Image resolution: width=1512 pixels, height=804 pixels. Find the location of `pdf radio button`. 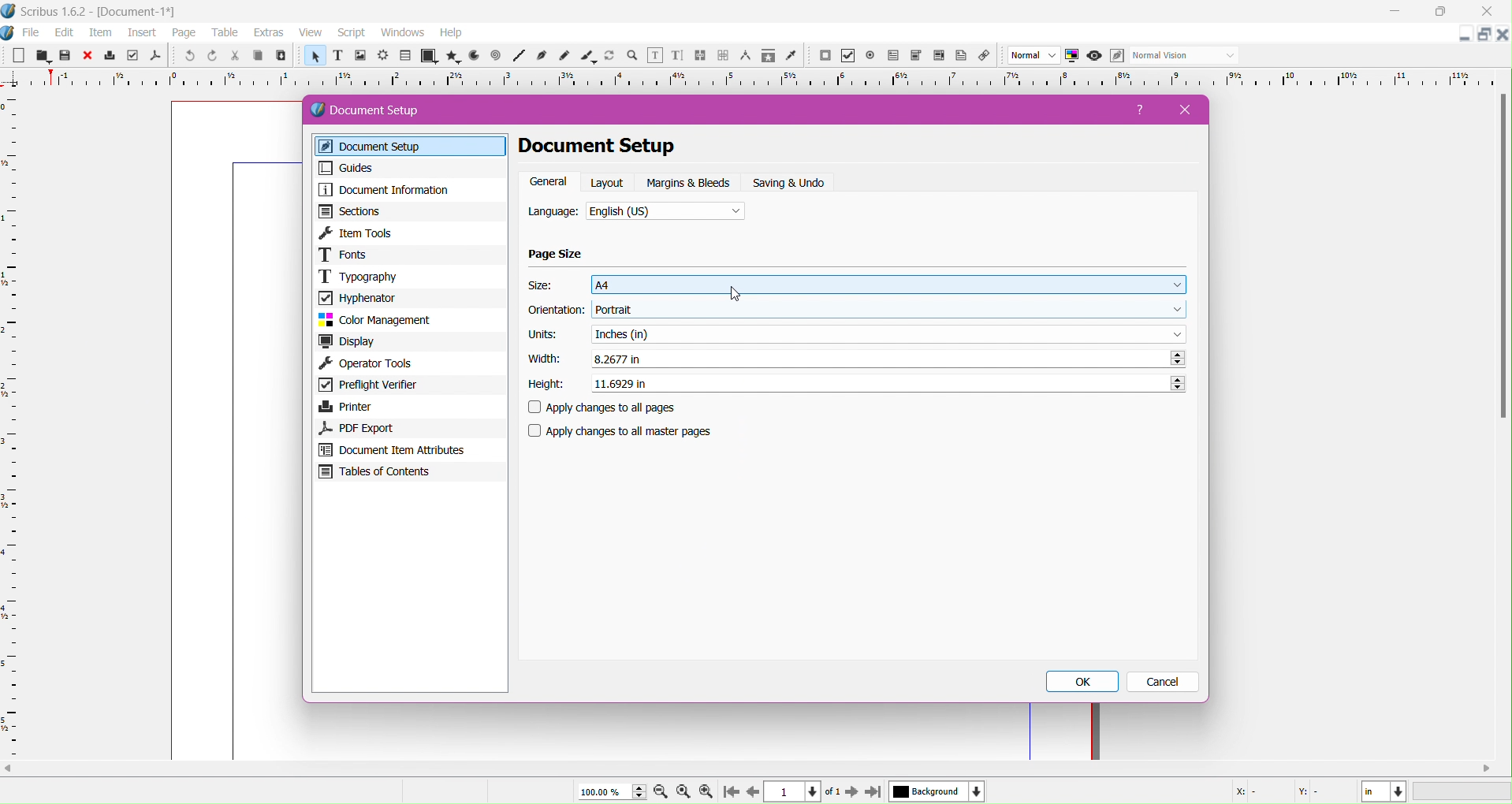

pdf radio button is located at coordinates (870, 56).